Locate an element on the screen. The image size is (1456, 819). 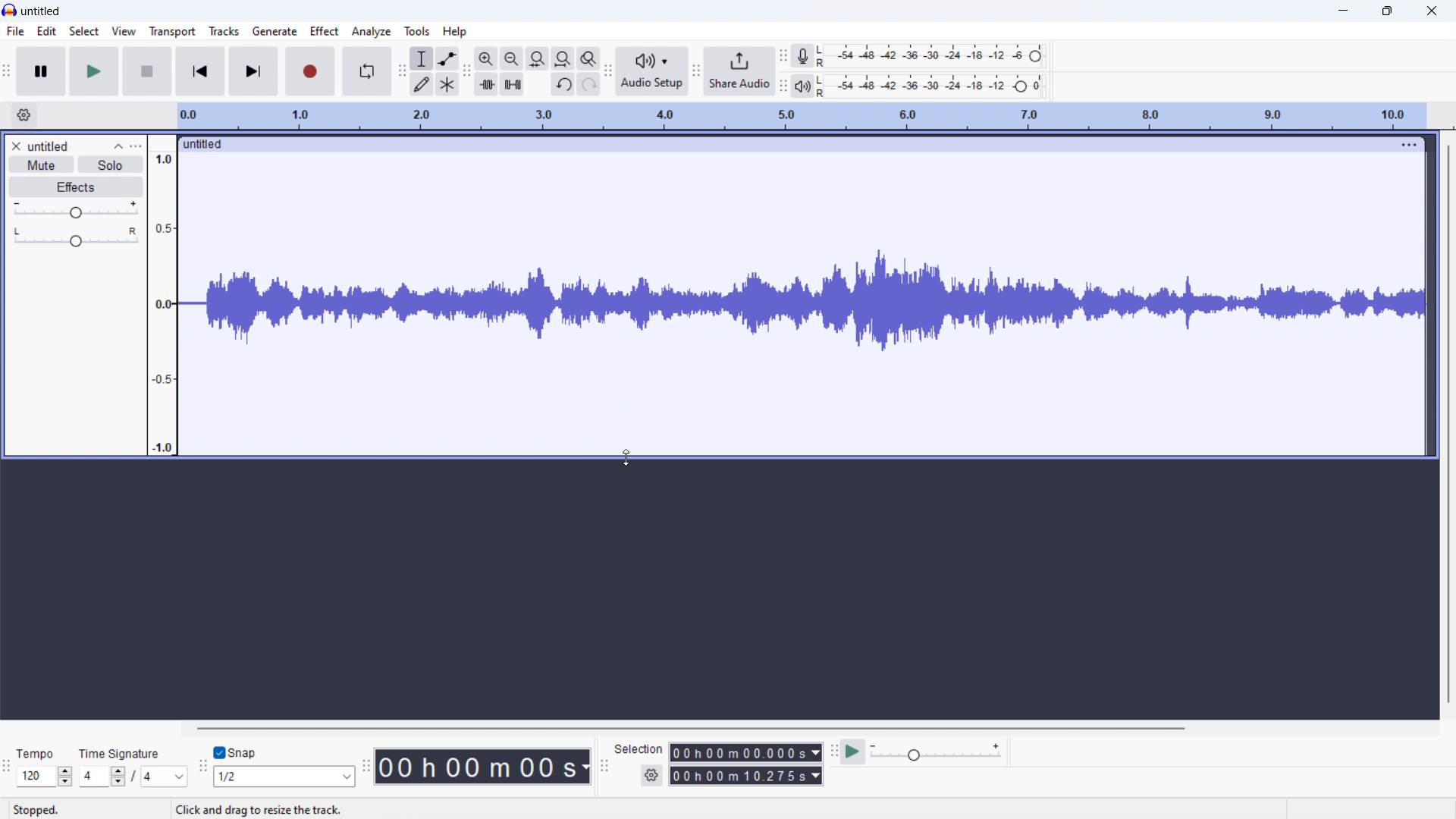
collapse is located at coordinates (122, 145).